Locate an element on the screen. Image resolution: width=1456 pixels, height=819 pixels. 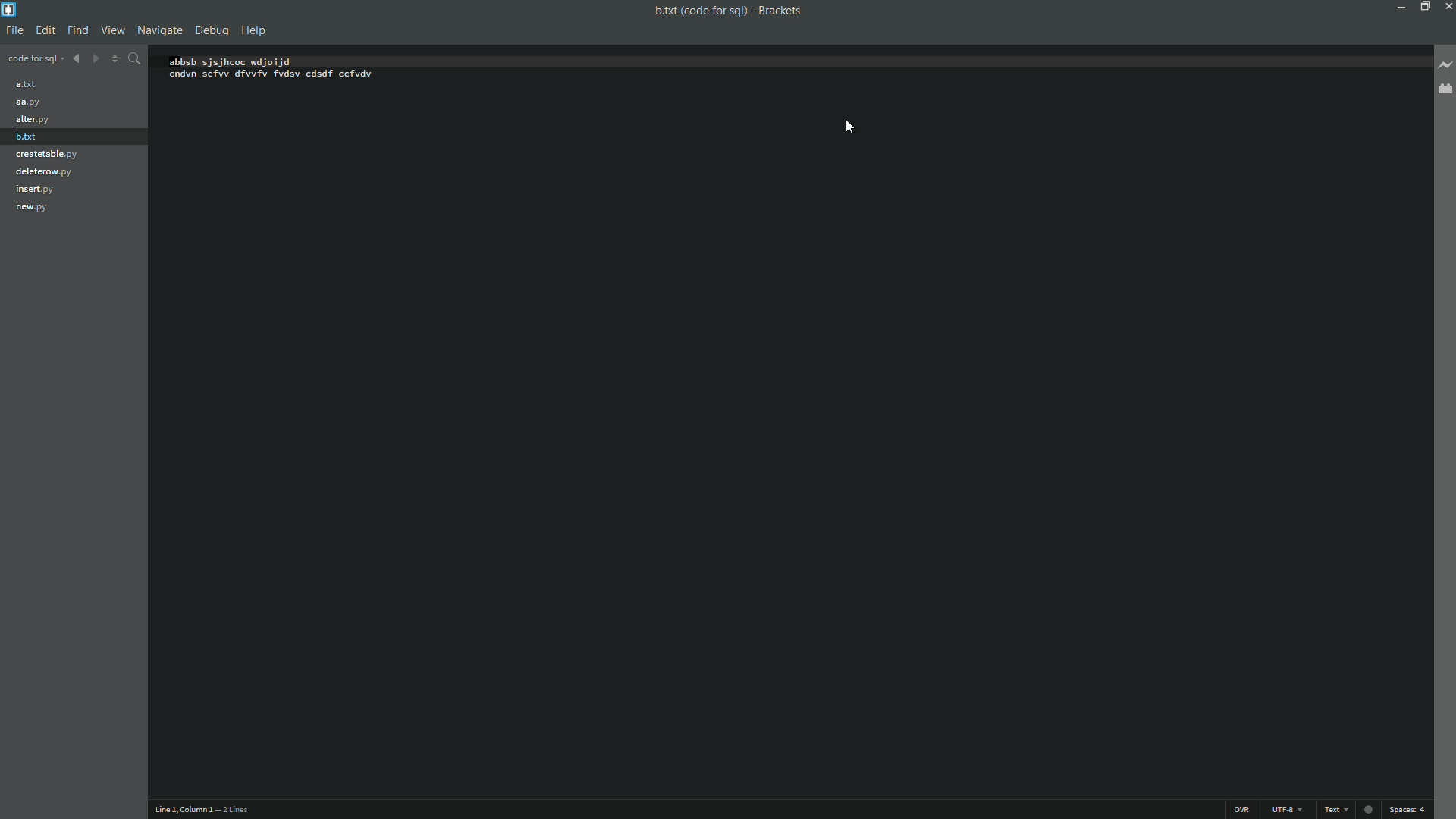
new.py is located at coordinates (35, 209).